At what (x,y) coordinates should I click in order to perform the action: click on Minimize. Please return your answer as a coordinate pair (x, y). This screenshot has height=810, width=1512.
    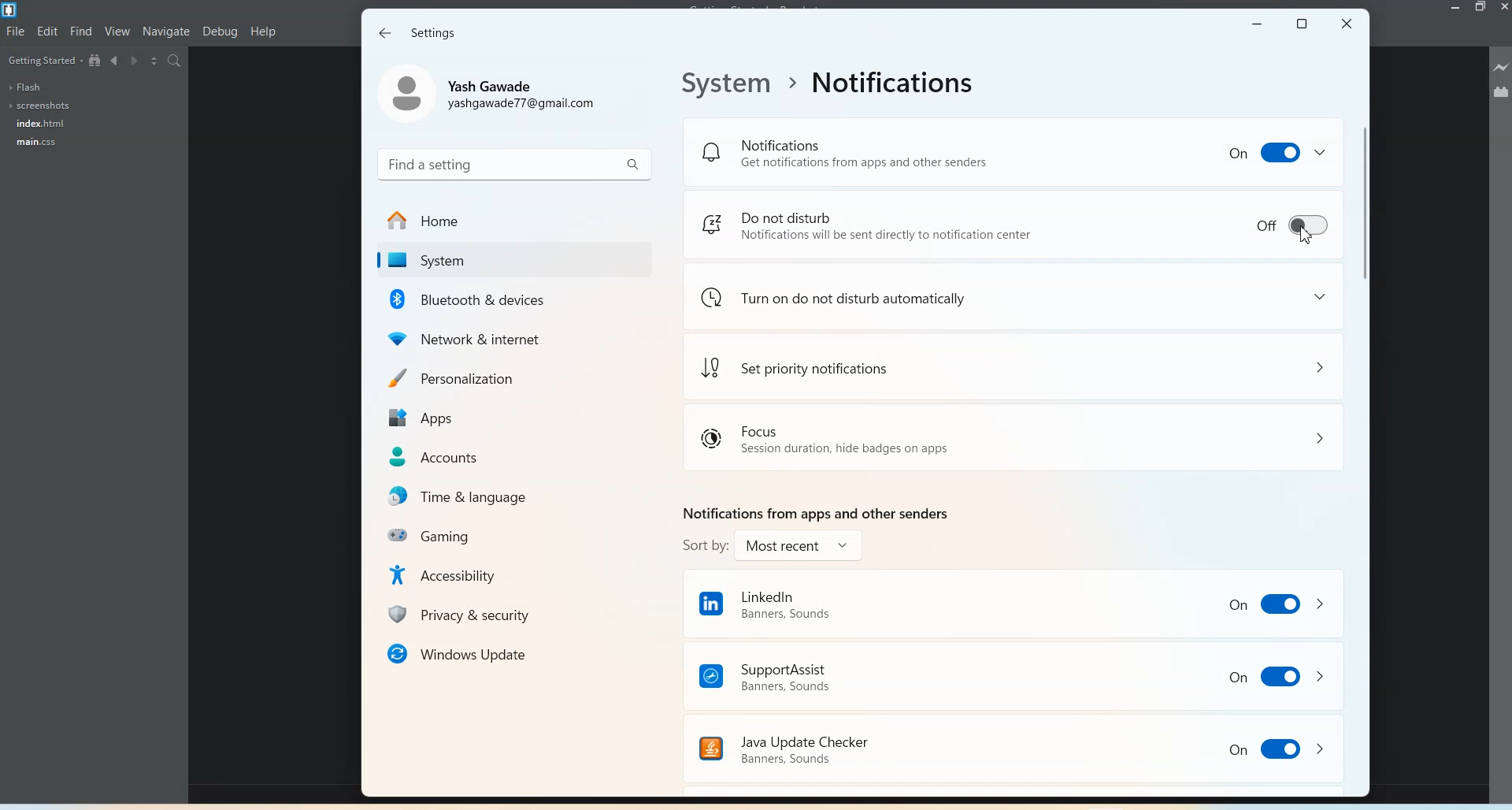
    Looking at the image, I should click on (1258, 21).